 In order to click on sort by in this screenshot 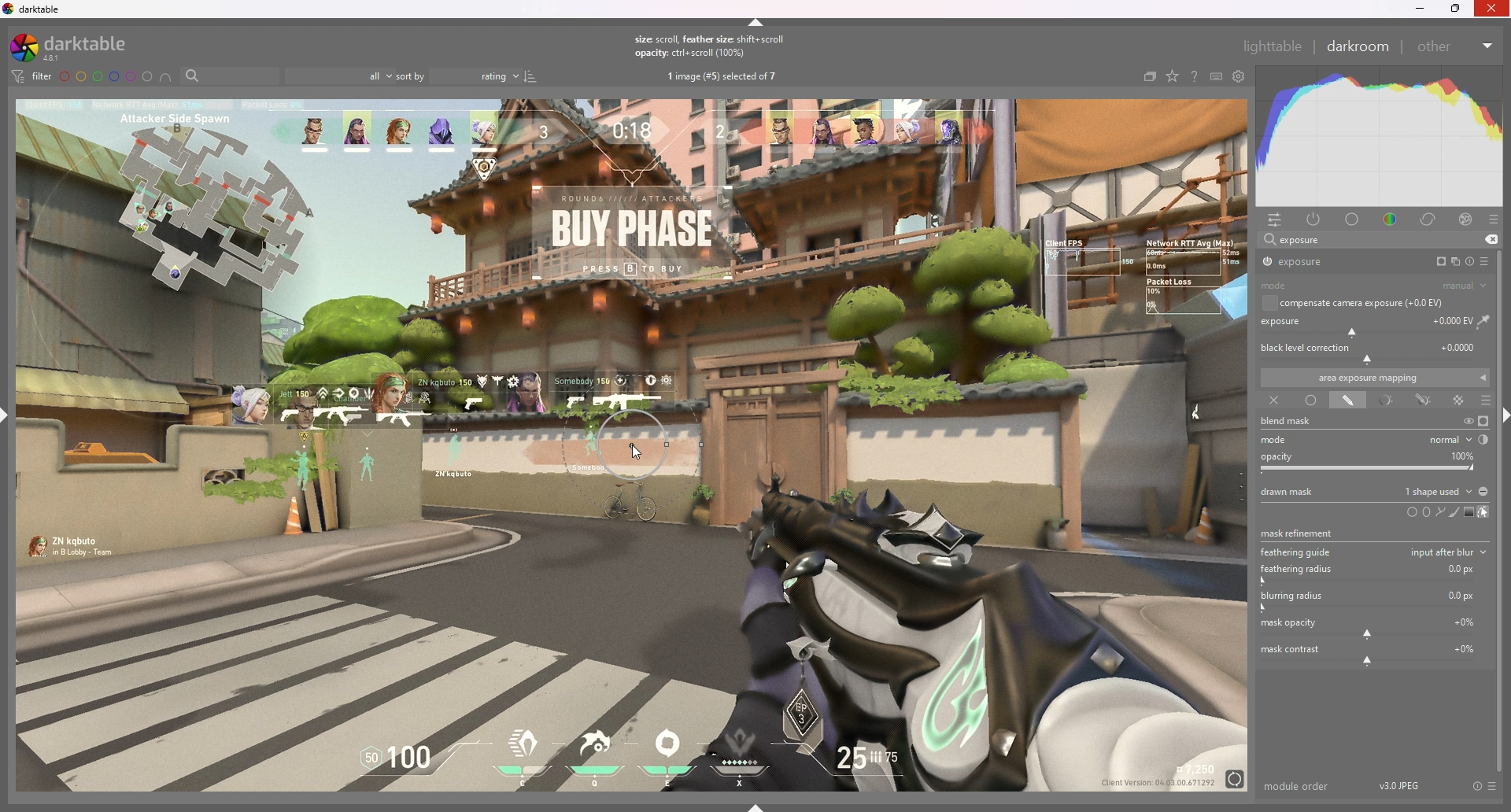, I will do `click(459, 76)`.